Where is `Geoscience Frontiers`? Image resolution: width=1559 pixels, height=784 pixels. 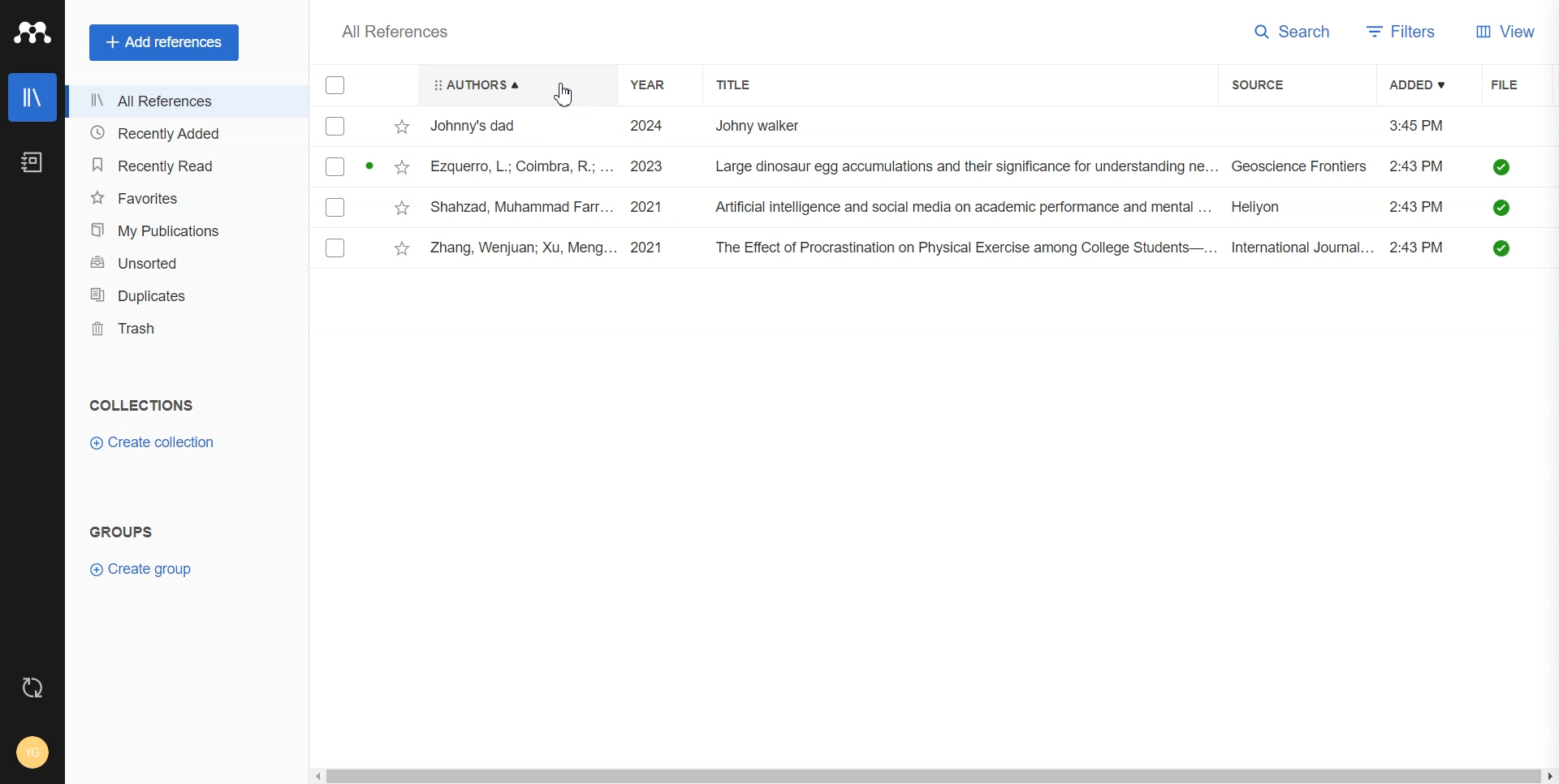 Geoscience Frontiers is located at coordinates (1302, 167).